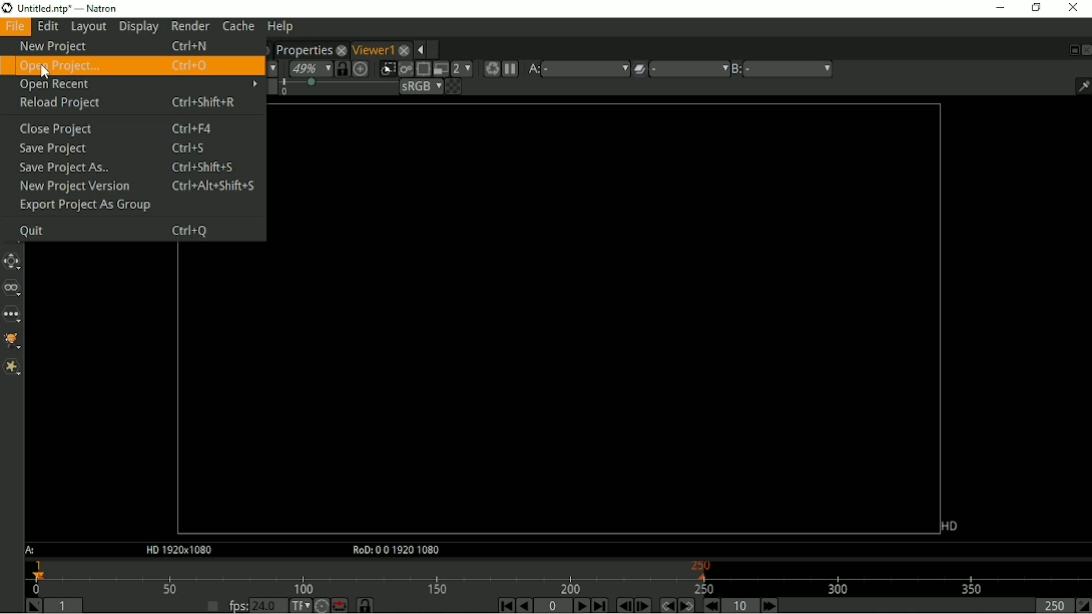 The height and width of the screenshot is (614, 1092). I want to click on Previous keyframe, so click(665, 605).